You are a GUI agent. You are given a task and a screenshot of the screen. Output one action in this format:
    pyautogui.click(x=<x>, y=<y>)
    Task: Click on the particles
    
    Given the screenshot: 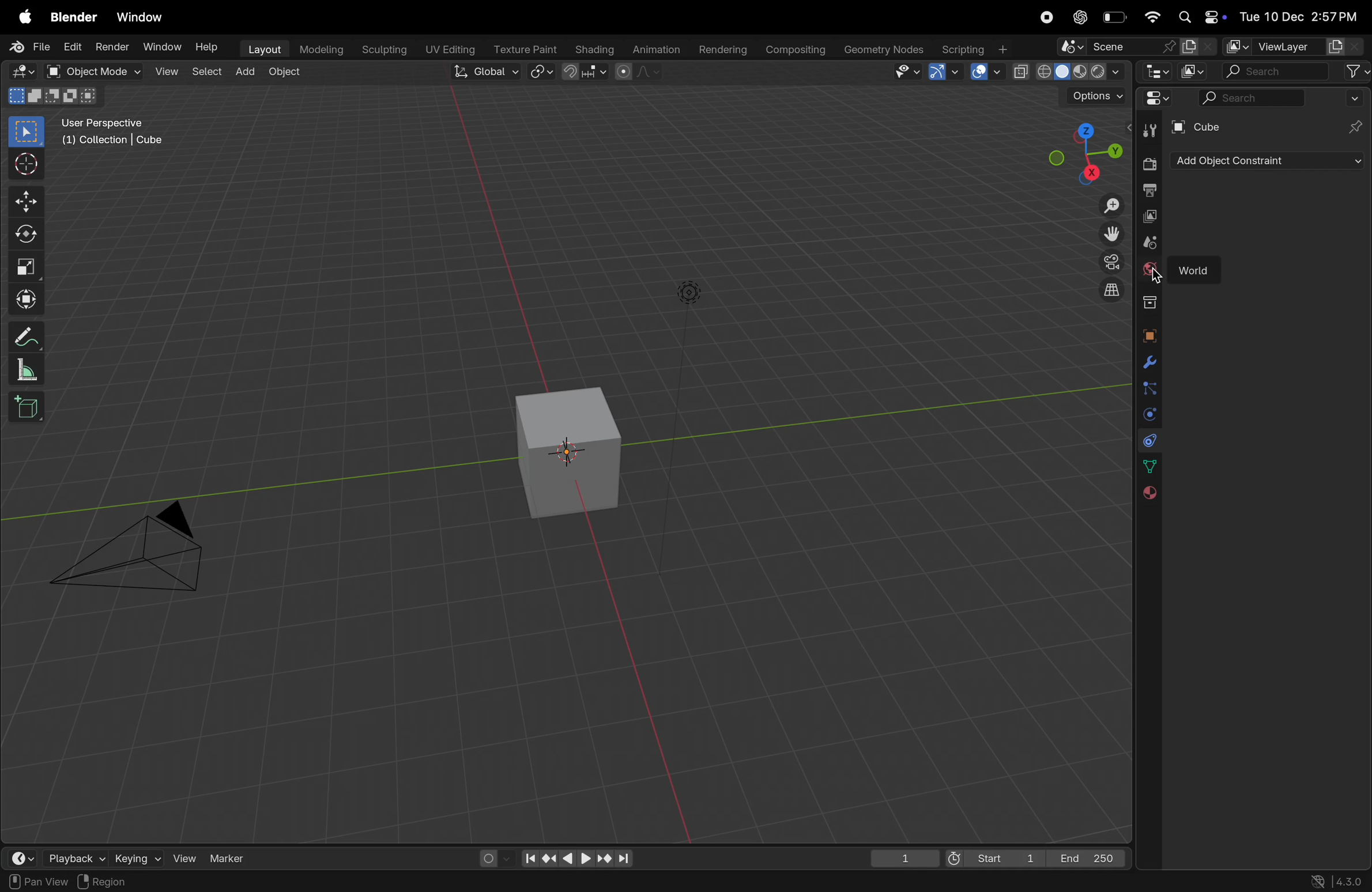 What is the action you would take?
    pyautogui.click(x=1148, y=388)
    